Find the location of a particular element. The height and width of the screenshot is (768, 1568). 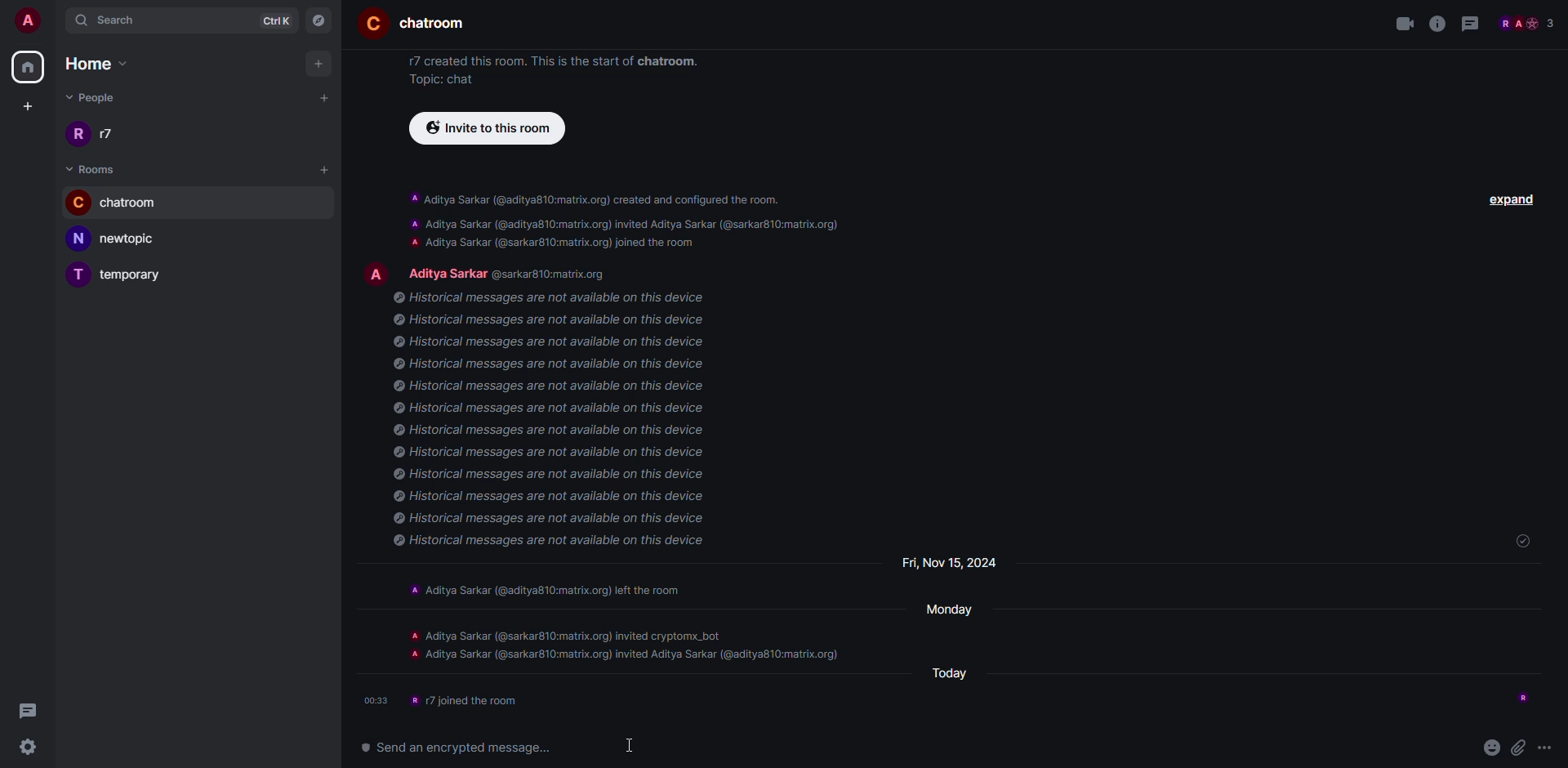

day is located at coordinates (942, 562).